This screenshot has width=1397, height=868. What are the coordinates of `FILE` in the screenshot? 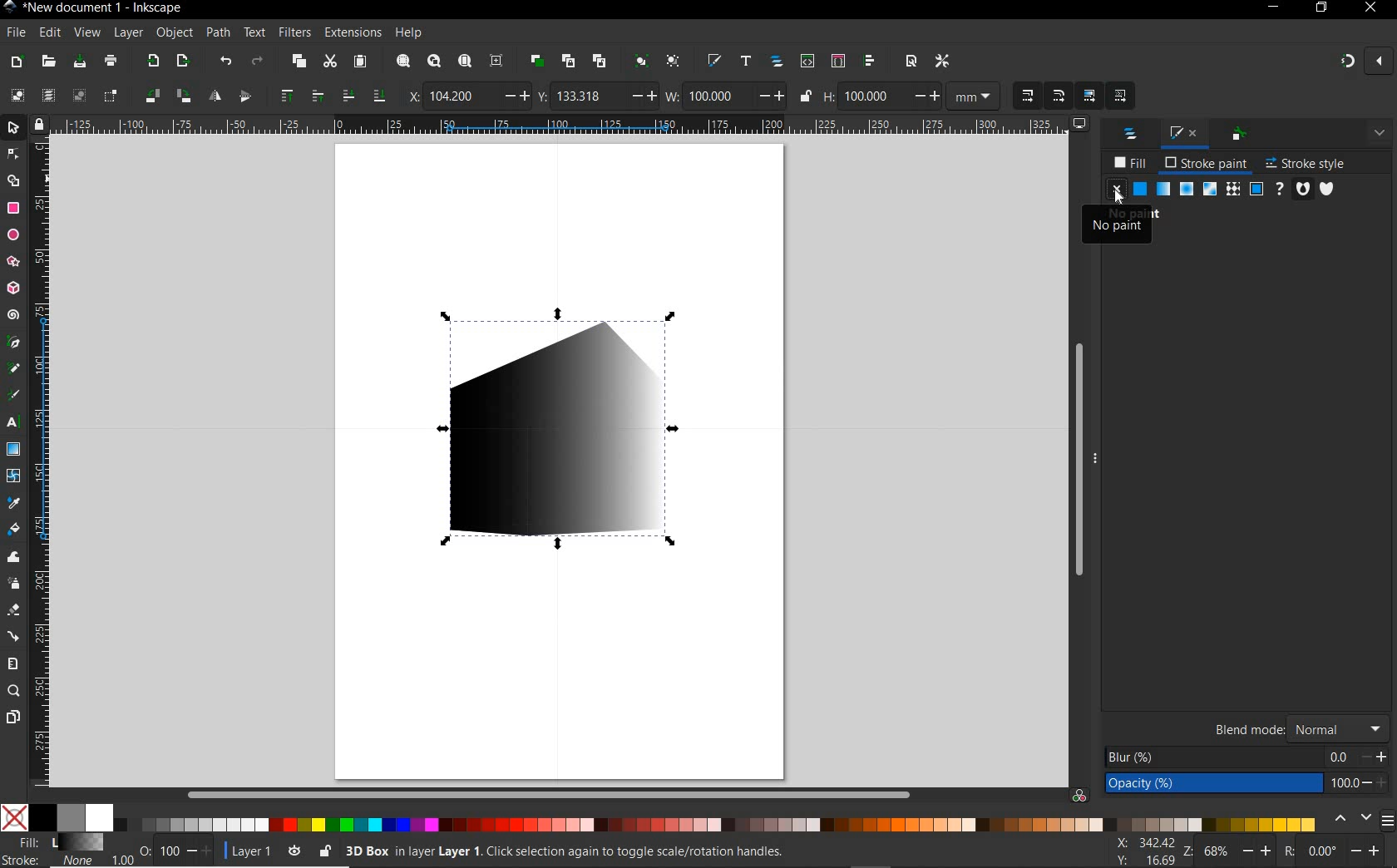 It's located at (16, 33).